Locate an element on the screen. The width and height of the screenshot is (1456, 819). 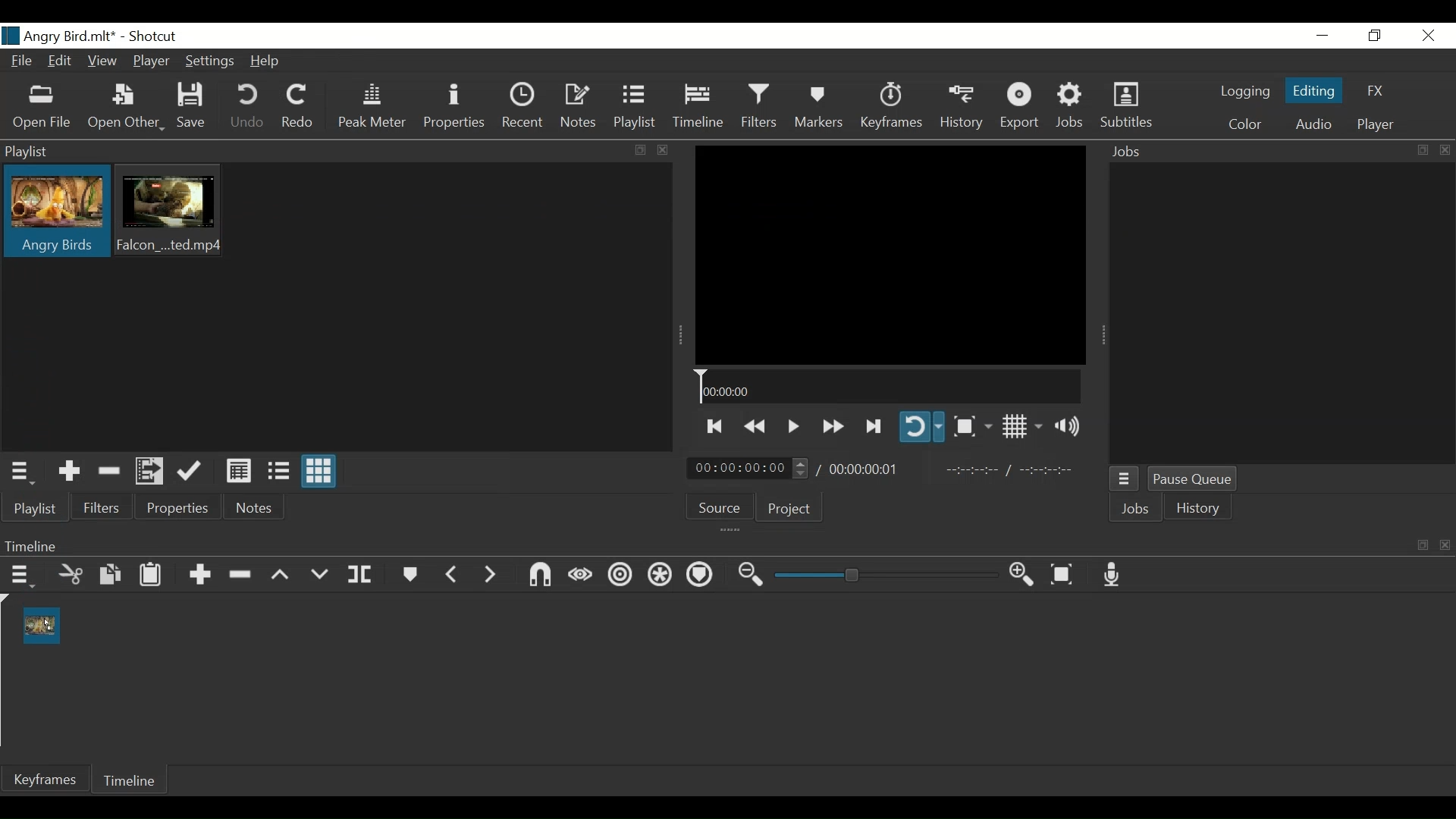
Undo is located at coordinates (249, 108).